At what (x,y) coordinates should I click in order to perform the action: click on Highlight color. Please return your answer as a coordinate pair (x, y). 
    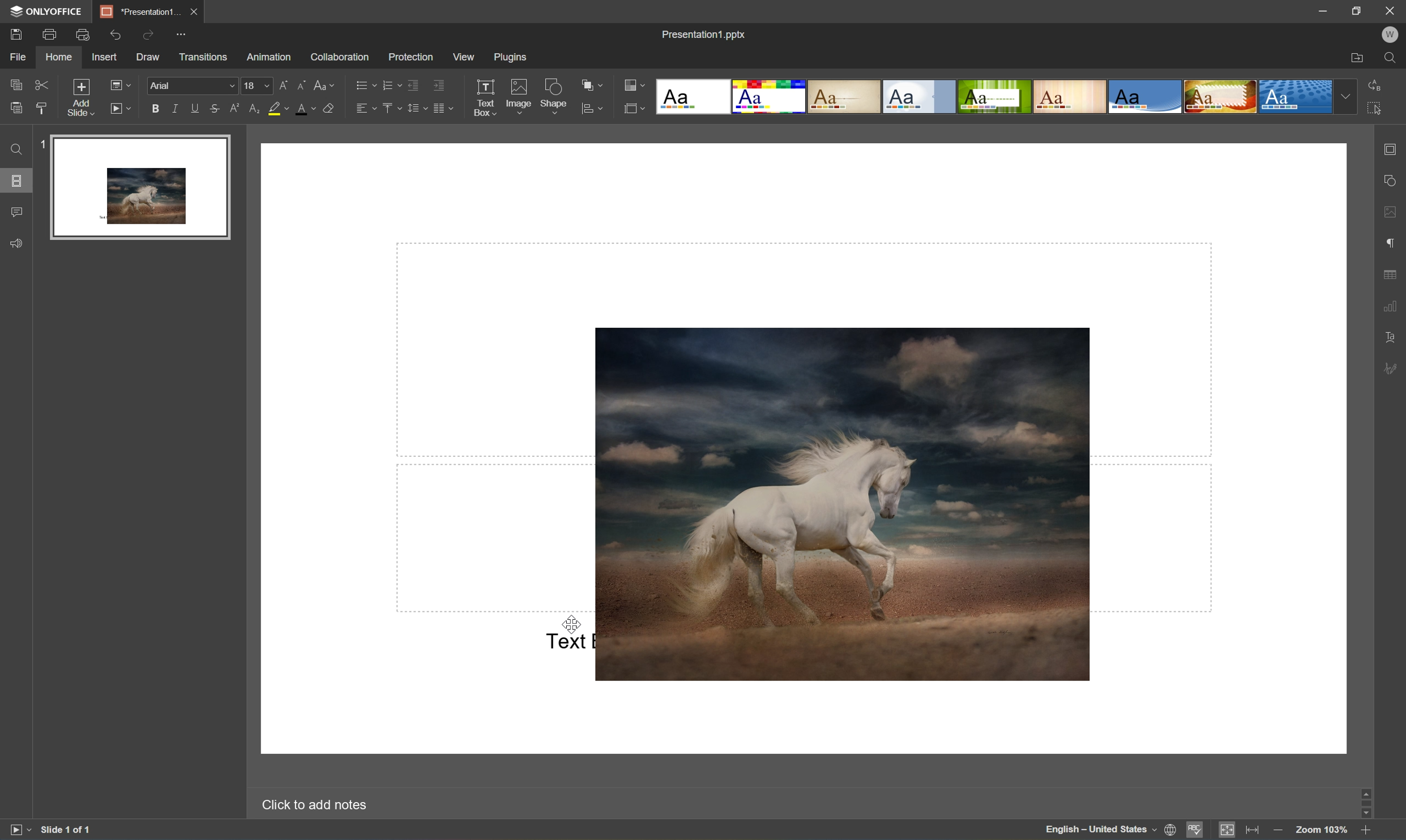
    Looking at the image, I should click on (278, 108).